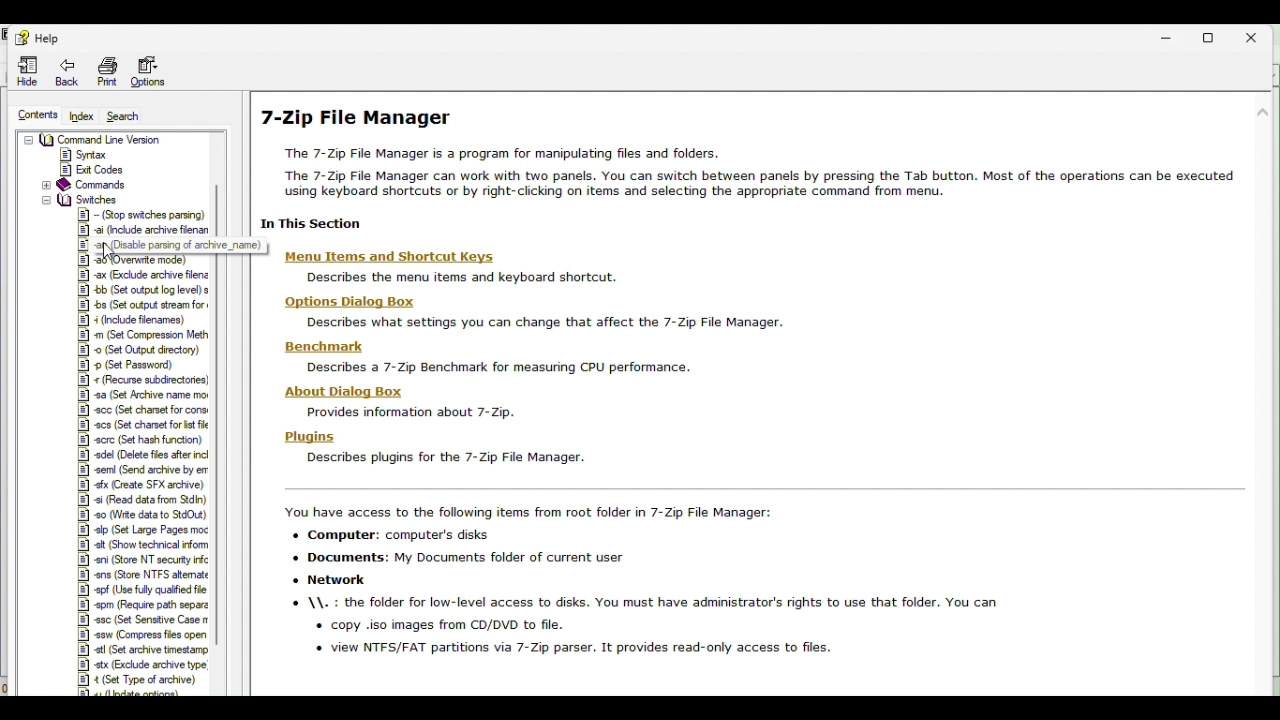  What do you see at coordinates (395, 256) in the screenshot?
I see `‘Menu Items and Shortcut Keys` at bounding box center [395, 256].